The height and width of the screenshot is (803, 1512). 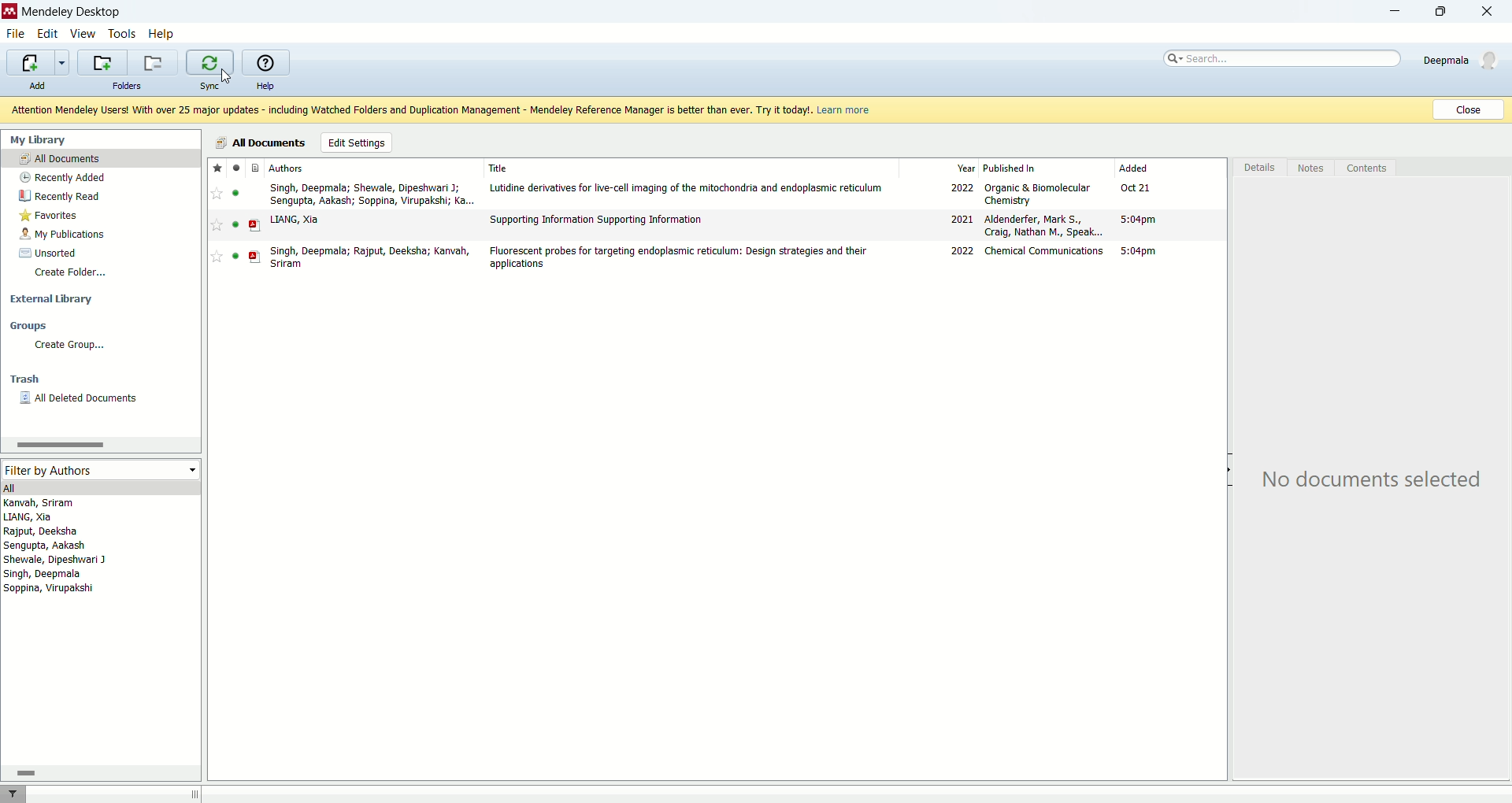 I want to click on recently read, so click(x=62, y=197).